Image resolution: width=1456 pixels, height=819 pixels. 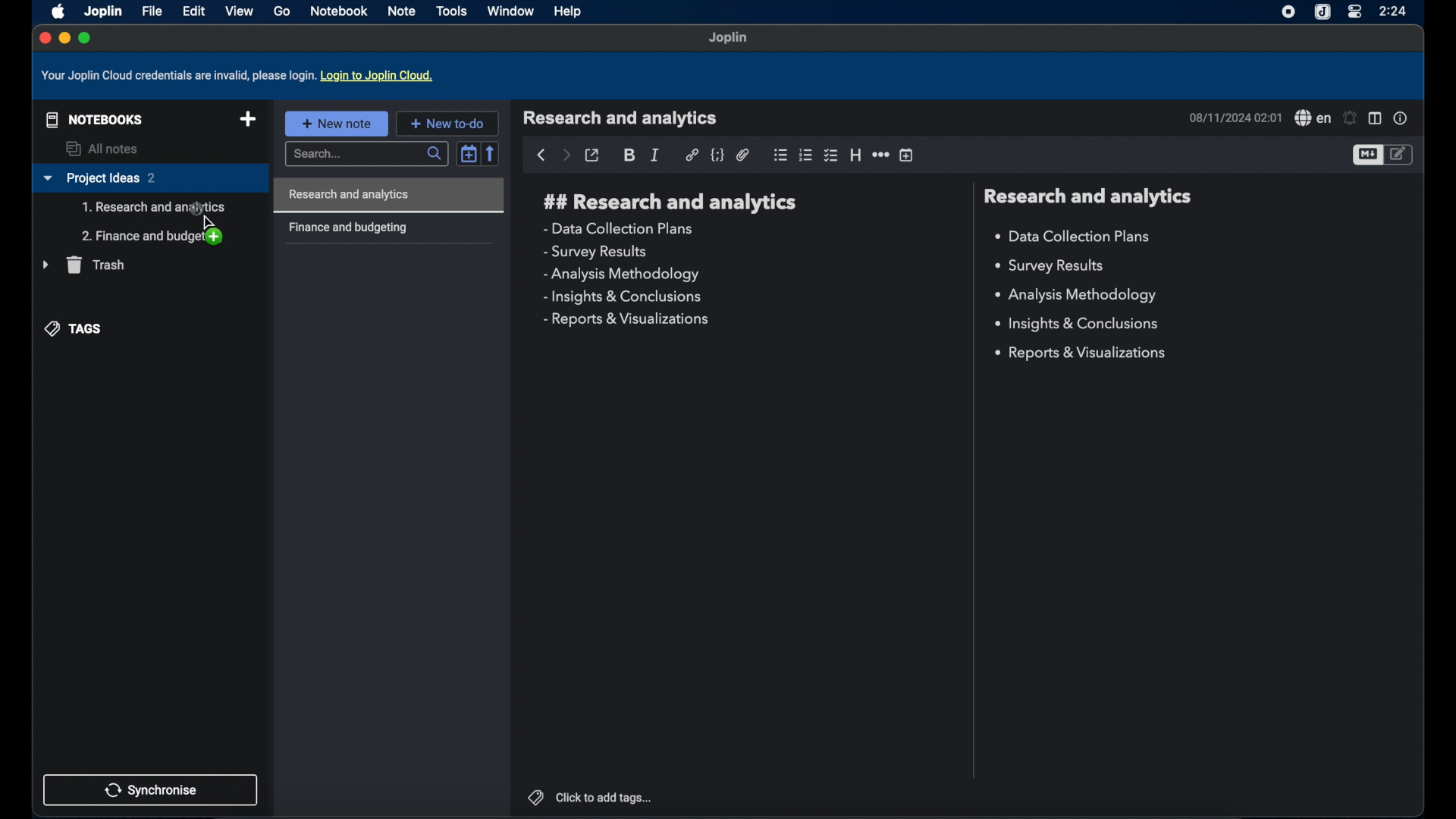 What do you see at coordinates (1375, 119) in the screenshot?
I see `toggle editor layout` at bounding box center [1375, 119].